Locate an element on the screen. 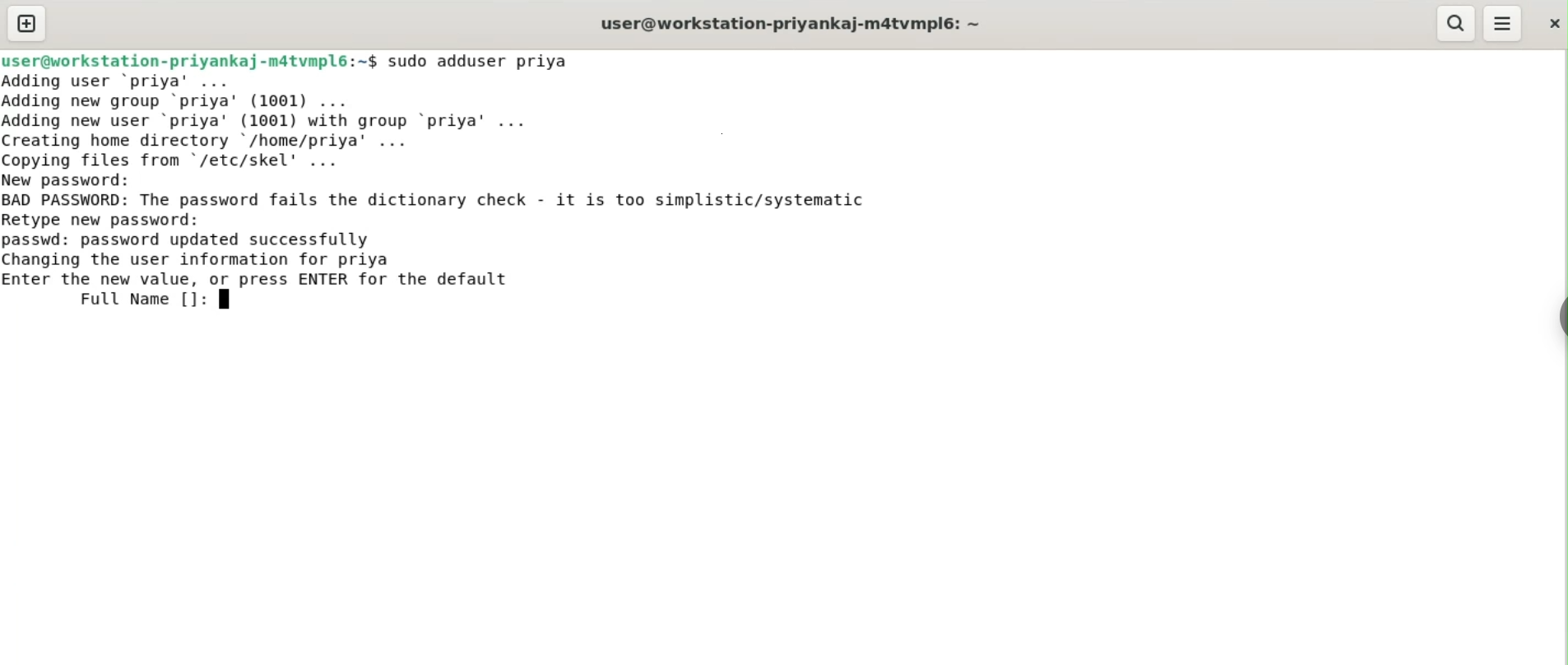 The width and height of the screenshot is (1568, 665). new tab is located at coordinates (26, 23).